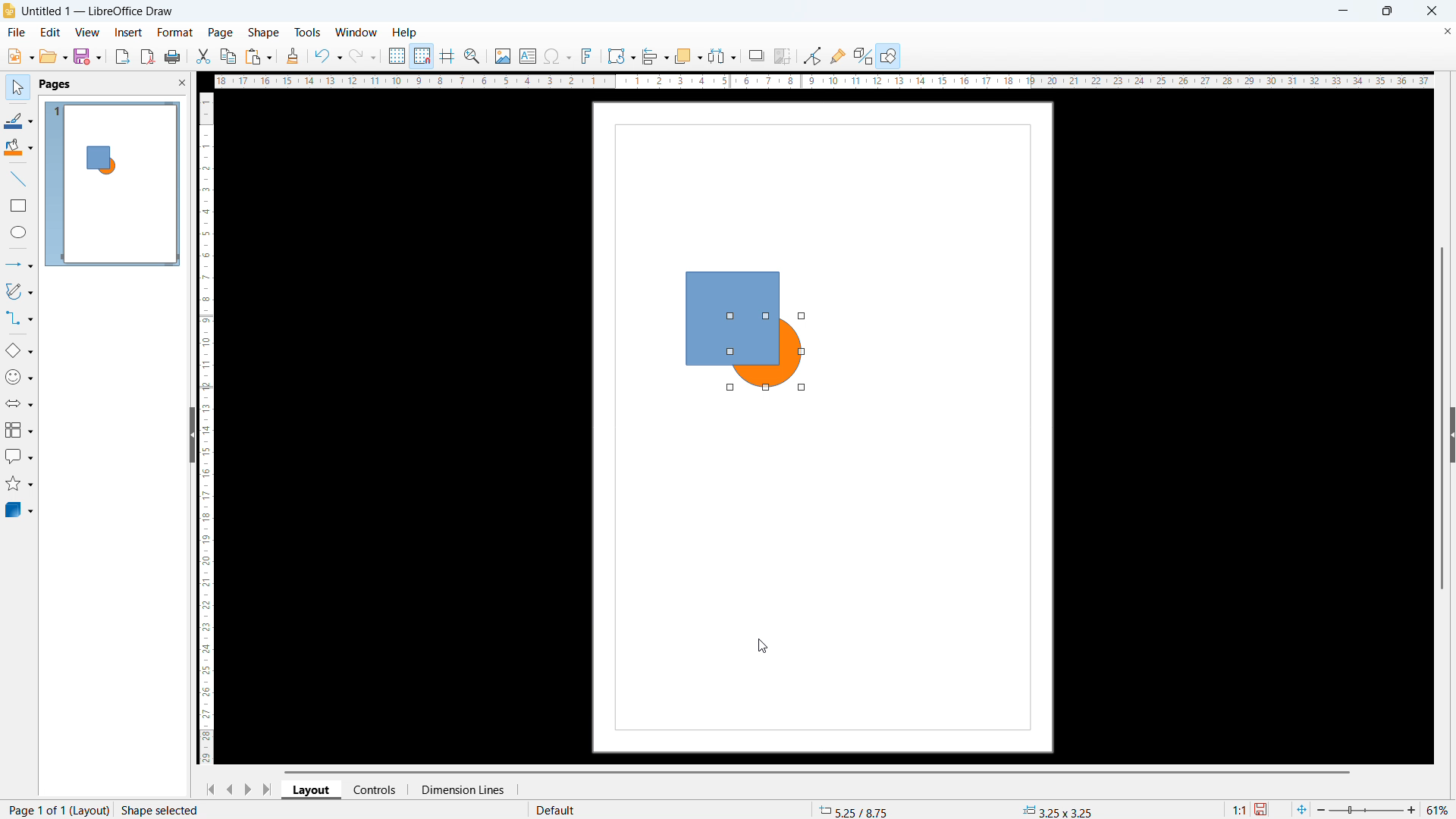 This screenshot has width=1456, height=819. What do you see at coordinates (220, 33) in the screenshot?
I see `Page ` at bounding box center [220, 33].